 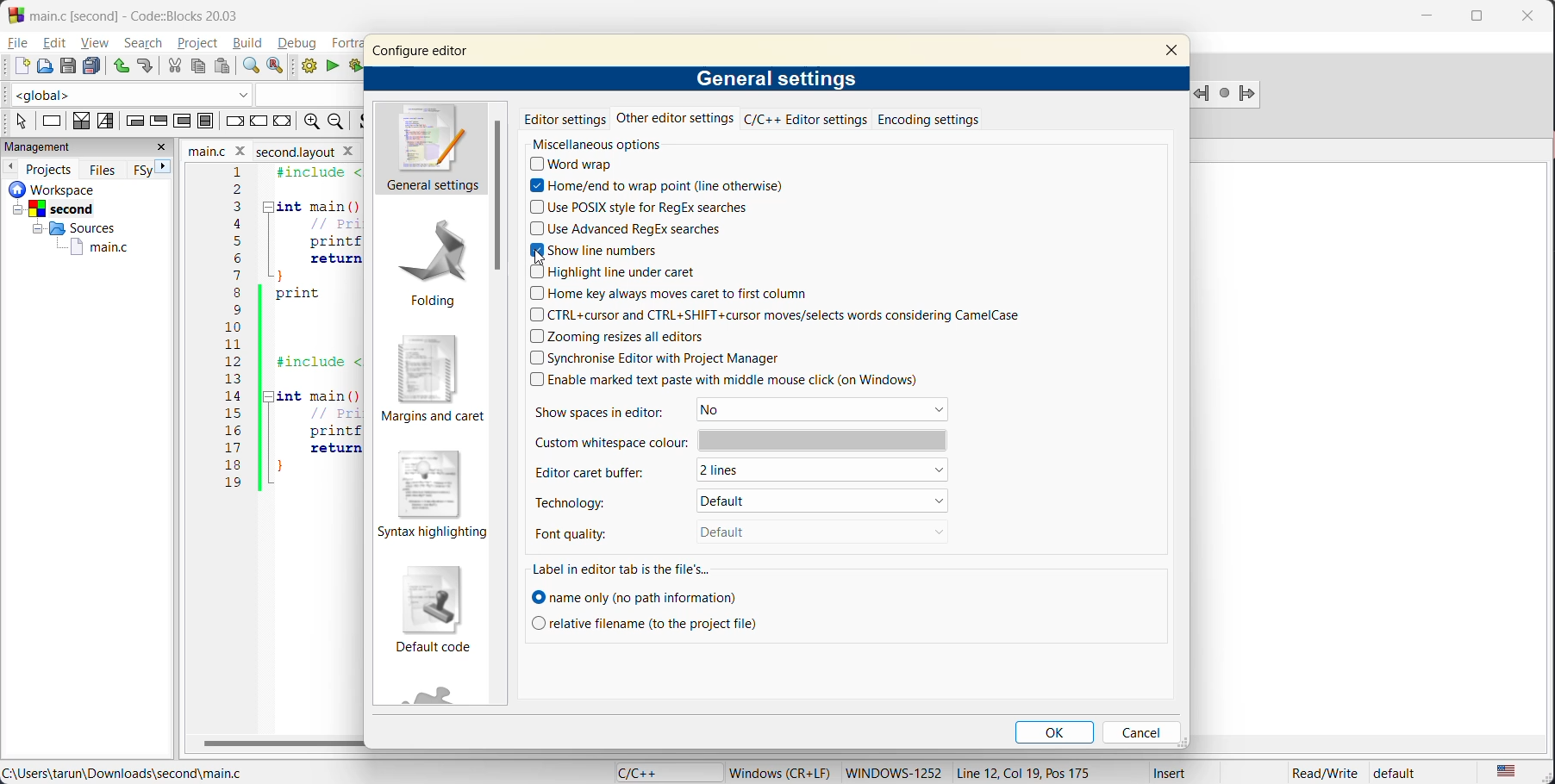 What do you see at coordinates (12, 168) in the screenshot?
I see `previous` at bounding box center [12, 168].